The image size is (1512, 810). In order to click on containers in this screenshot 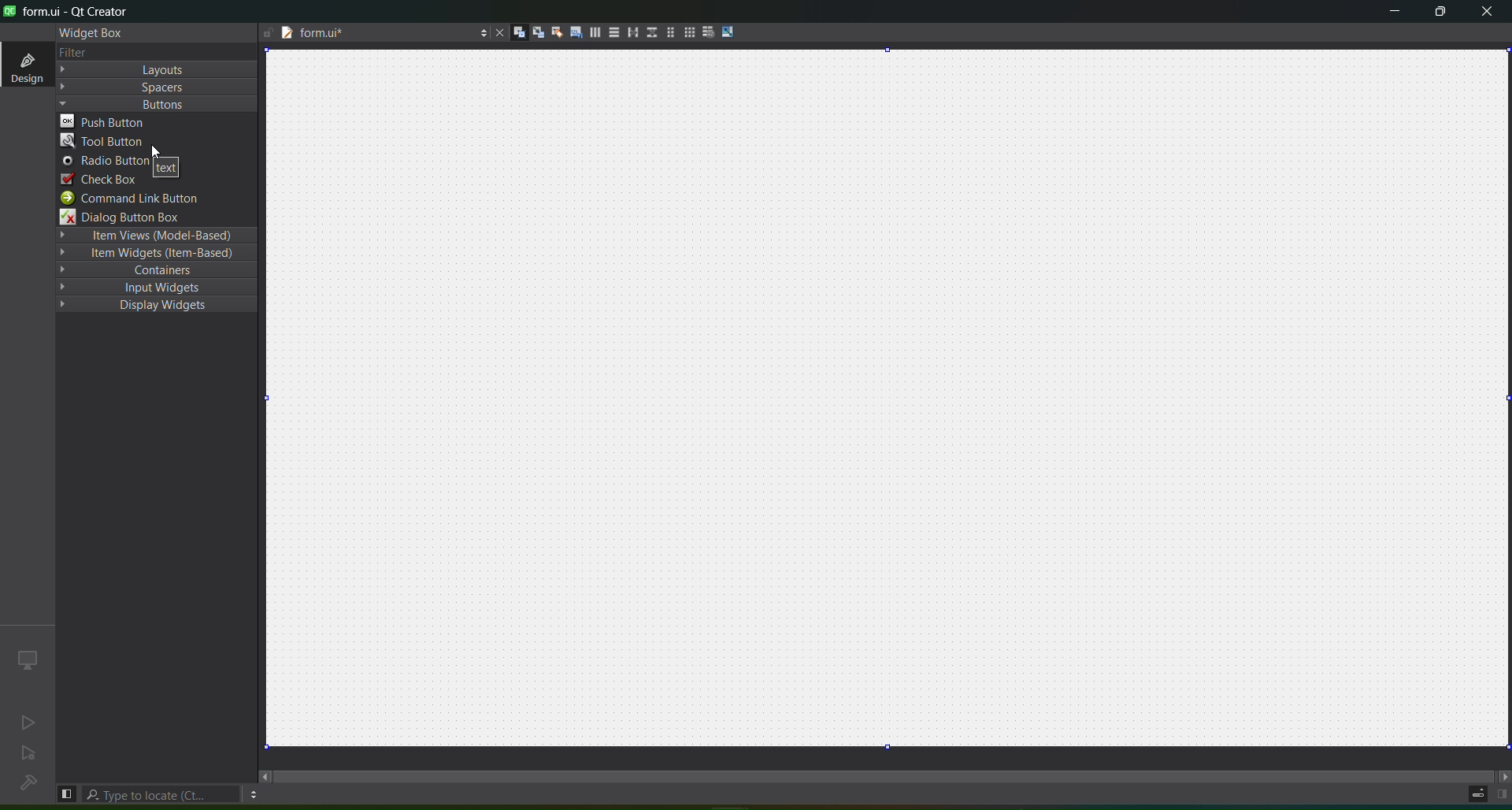, I will do `click(157, 272)`.